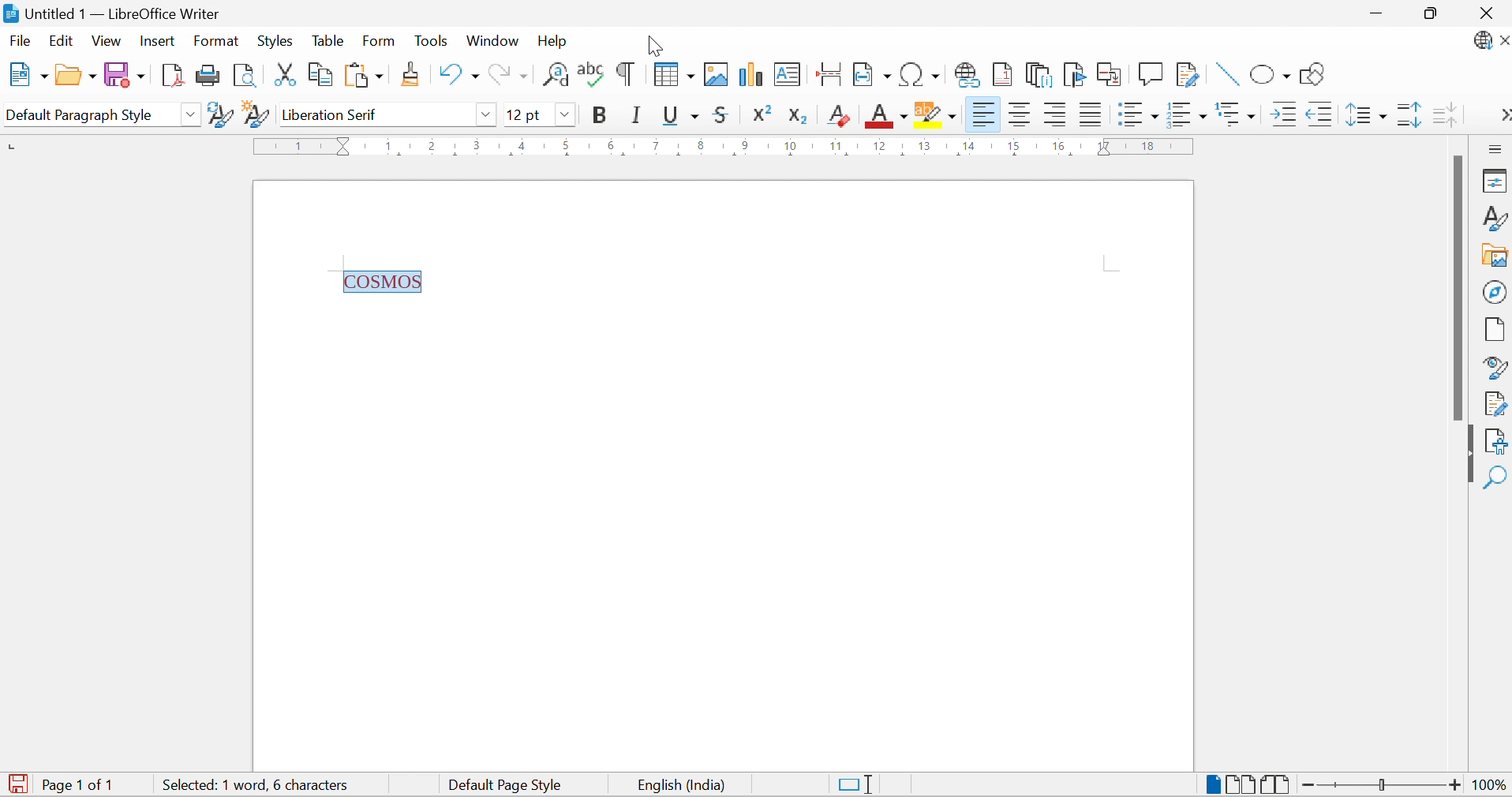  Describe the element at coordinates (219, 114) in the screenshot. I see `Update Selected Style` at that location.